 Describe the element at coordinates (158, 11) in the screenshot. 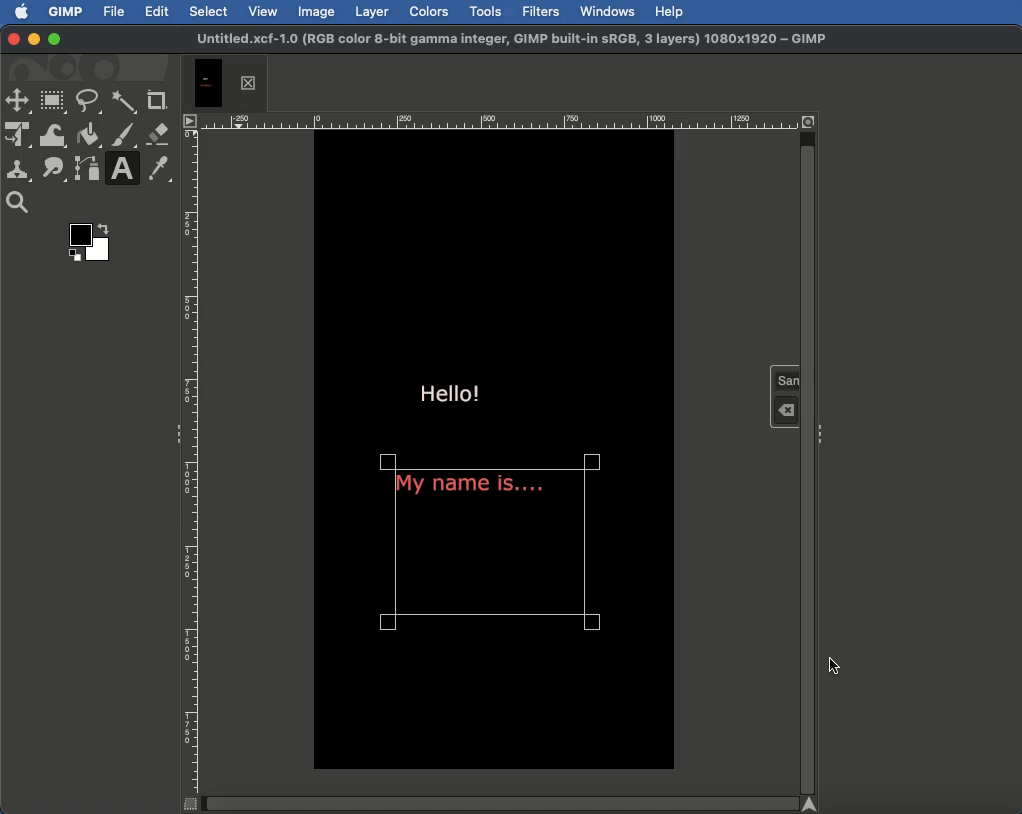

I see `Edit` at that location.